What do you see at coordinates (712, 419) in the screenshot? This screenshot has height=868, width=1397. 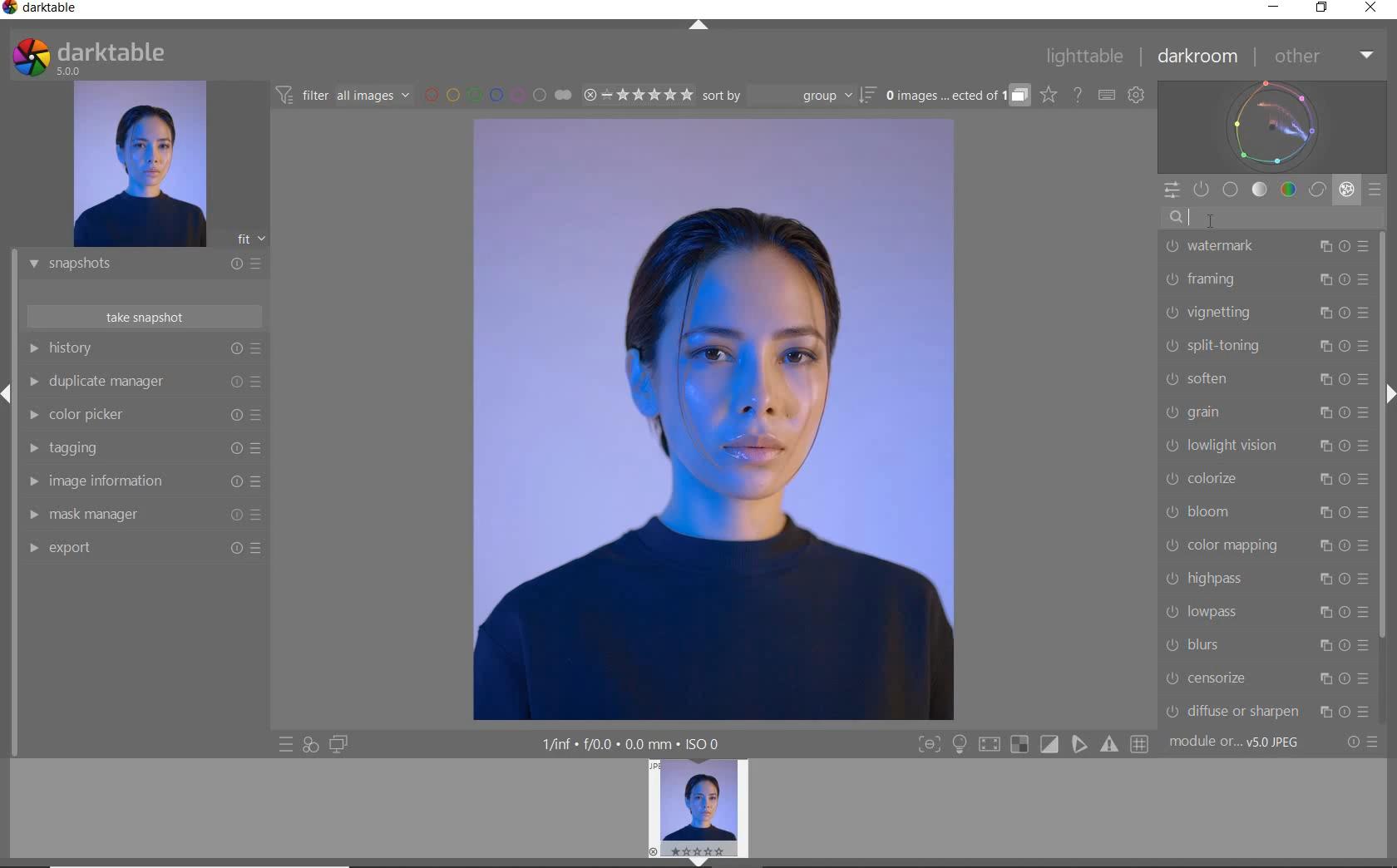 I see `SELECTED IMAGE` at bounding box center [712, 419].